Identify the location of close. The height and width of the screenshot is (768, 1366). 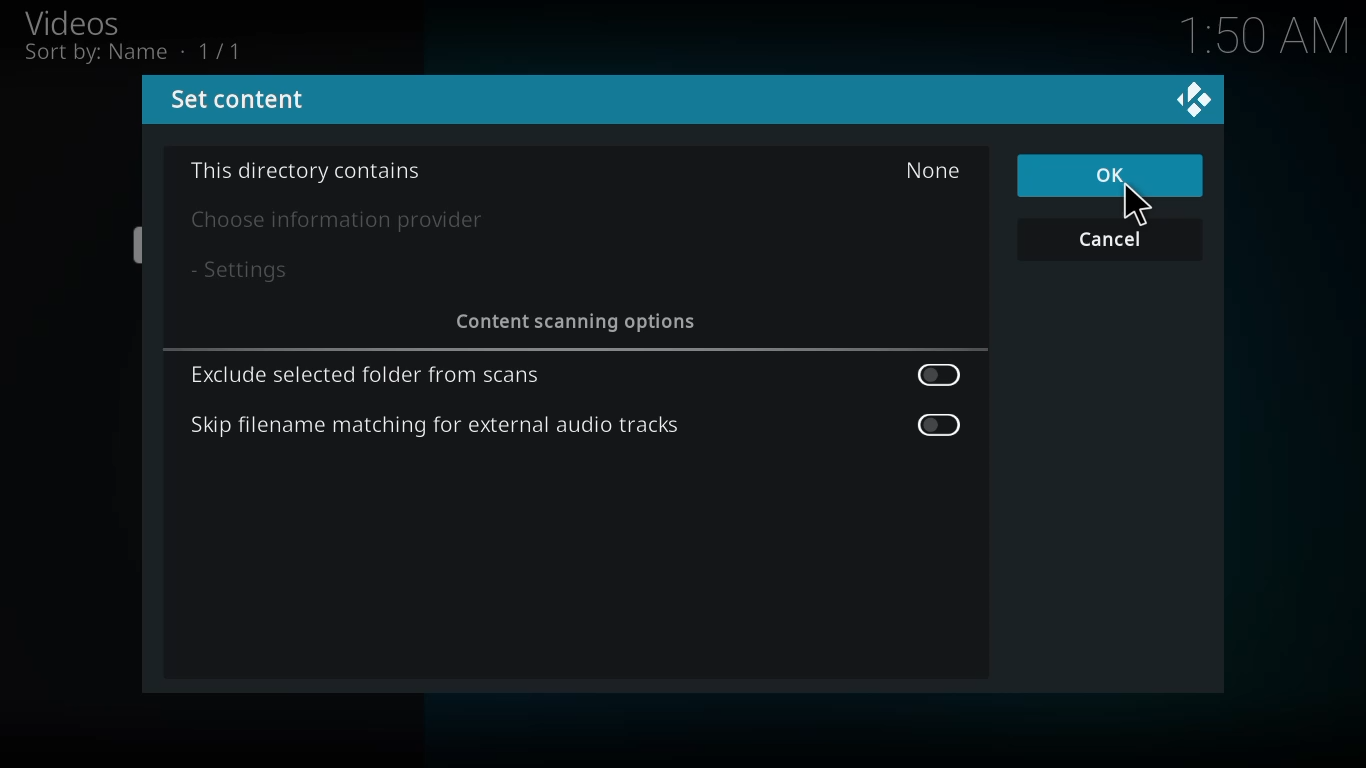
(1198, 100).